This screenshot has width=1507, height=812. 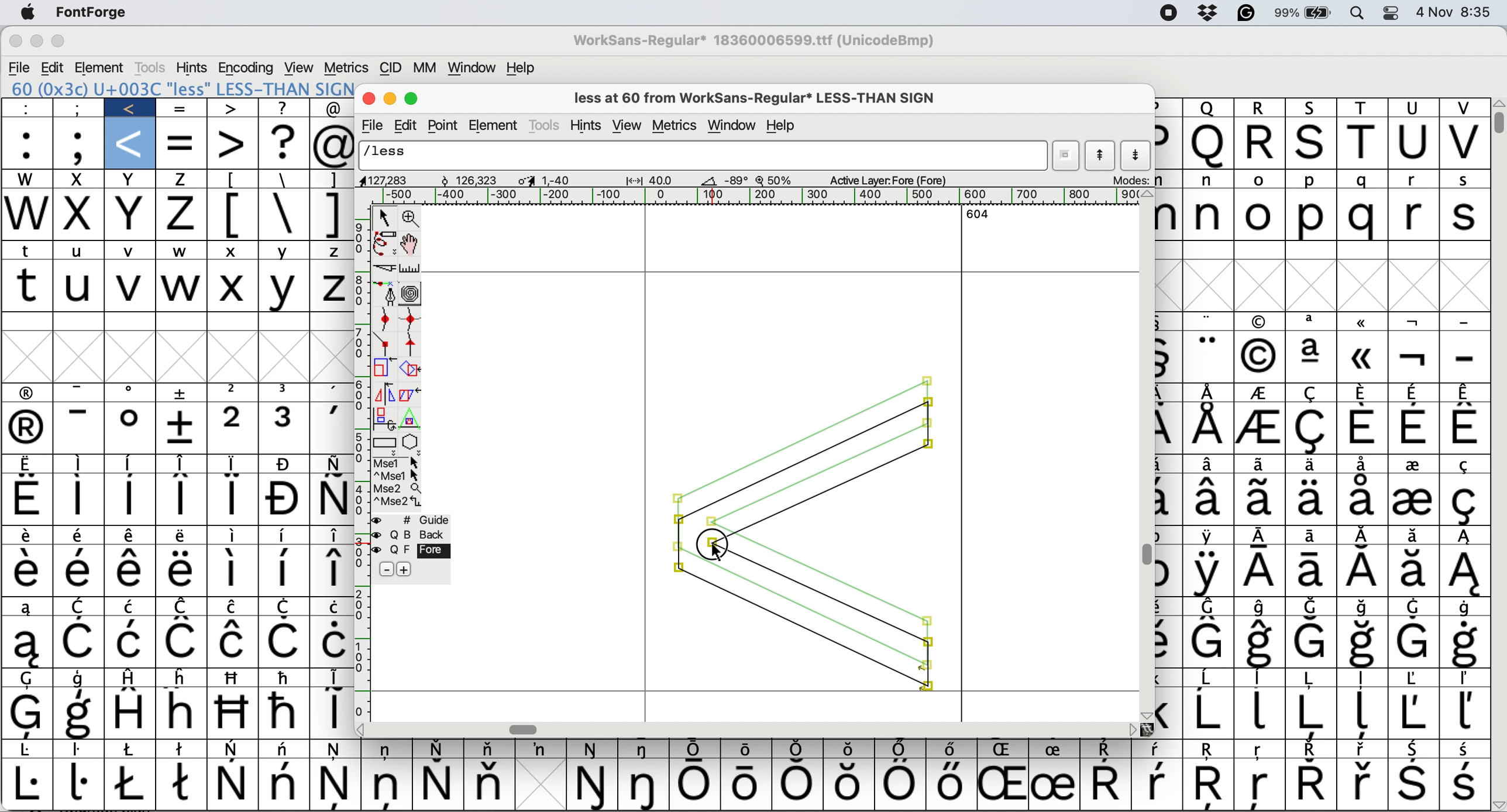 I want to click on u, so click(x=1416, y=108).